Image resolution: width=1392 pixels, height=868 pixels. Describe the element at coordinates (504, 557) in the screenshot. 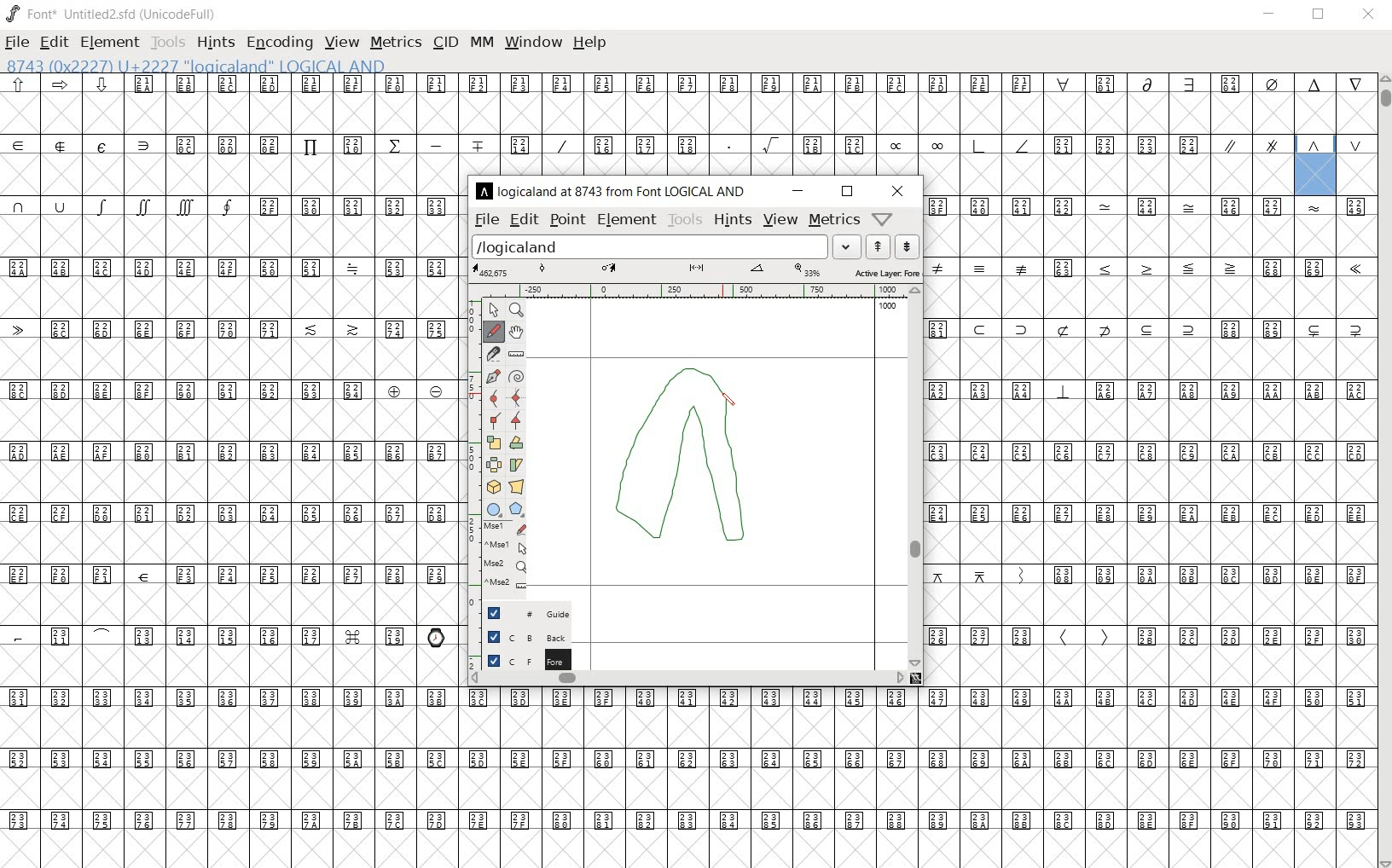

I see `mse1 mse1 mse2 mse2` at that location.